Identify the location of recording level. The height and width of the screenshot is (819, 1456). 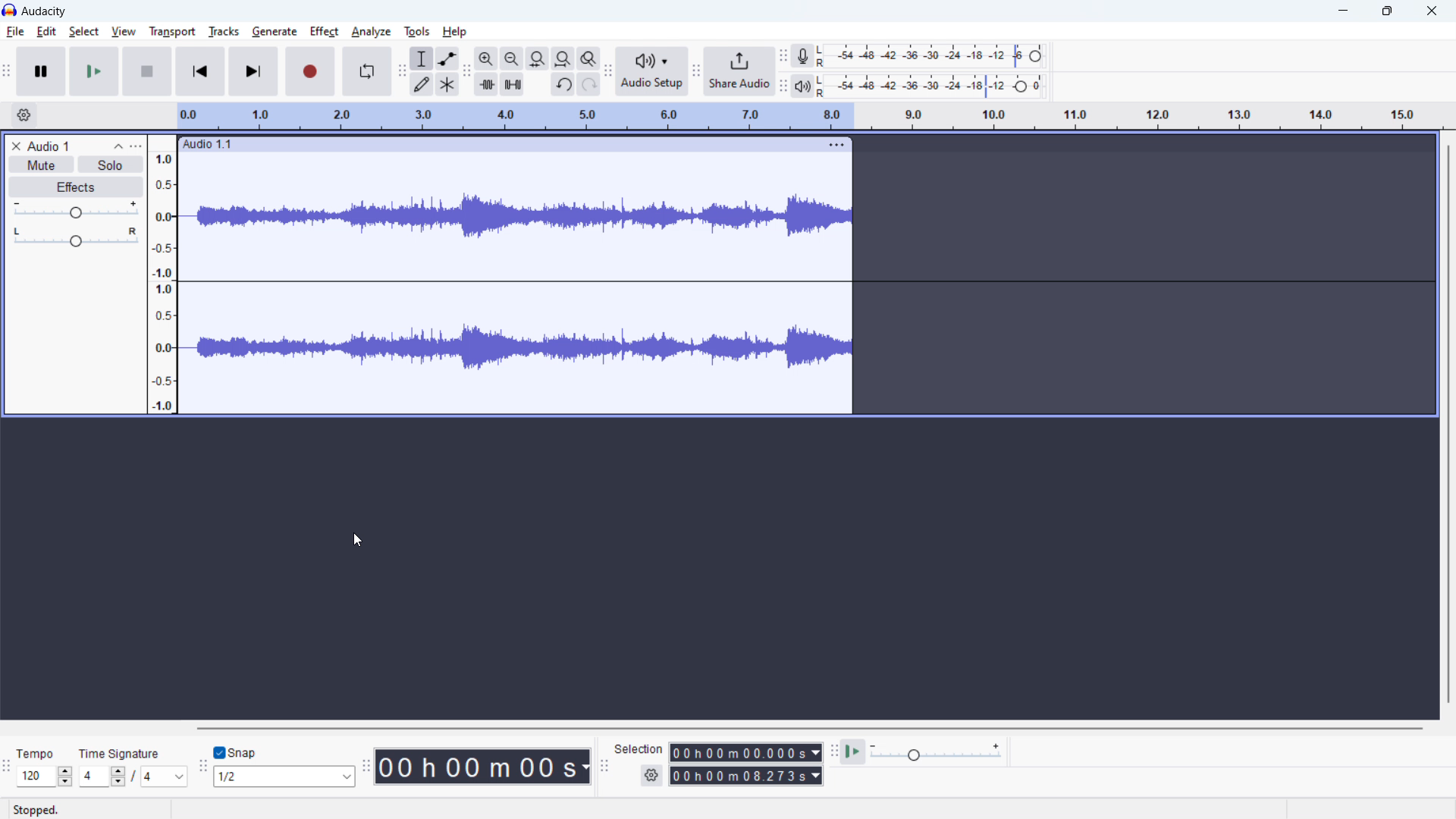
(928, 56).